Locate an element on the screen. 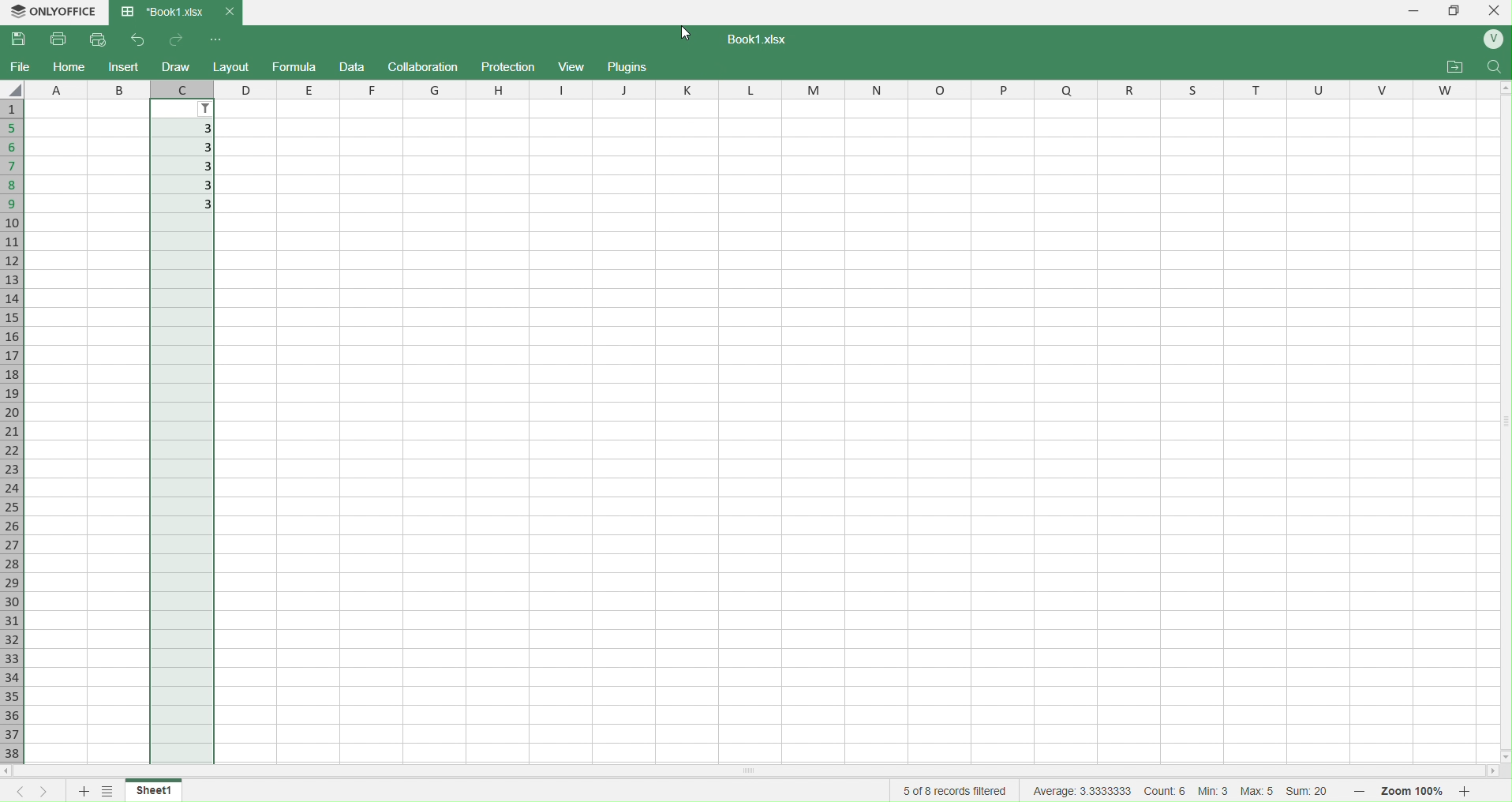 The height and width of the screenshot is (802, 1512). Sum is located at coordinates (1312, 793).